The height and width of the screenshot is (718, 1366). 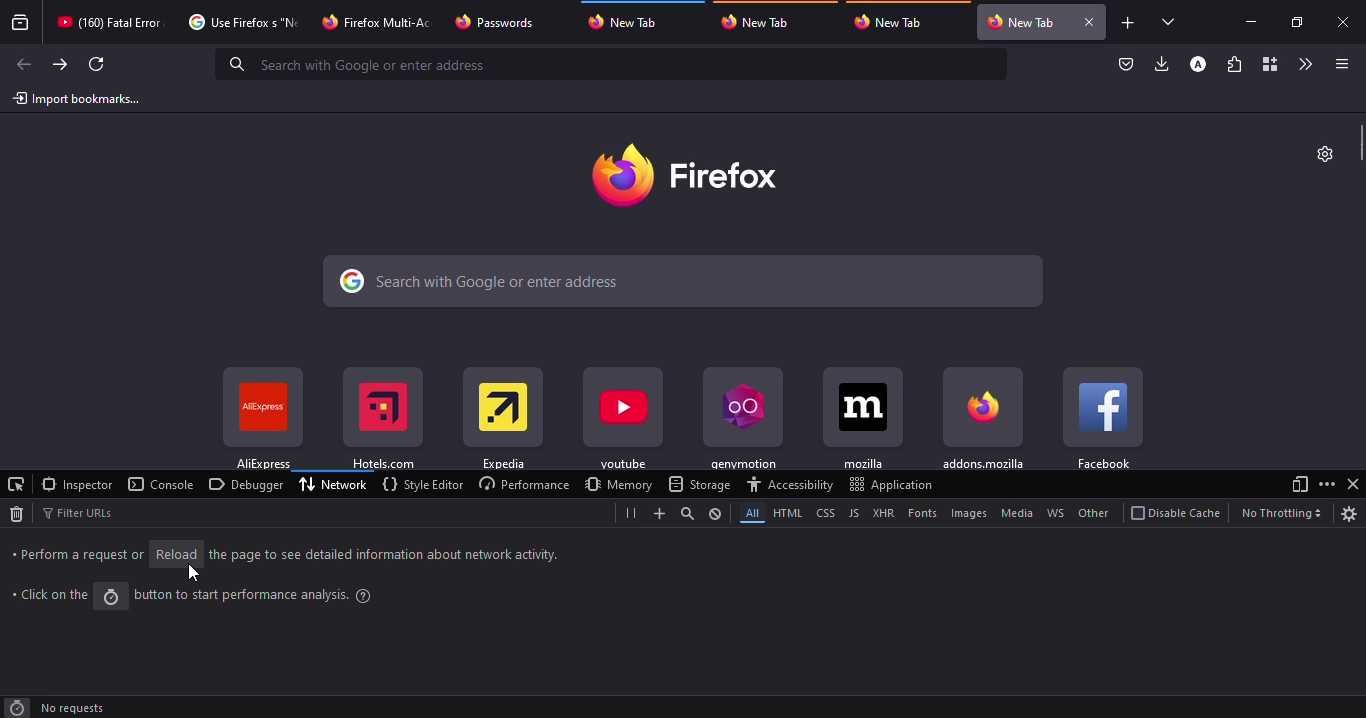 I want to click on tab, so click(x=1024, y=22).